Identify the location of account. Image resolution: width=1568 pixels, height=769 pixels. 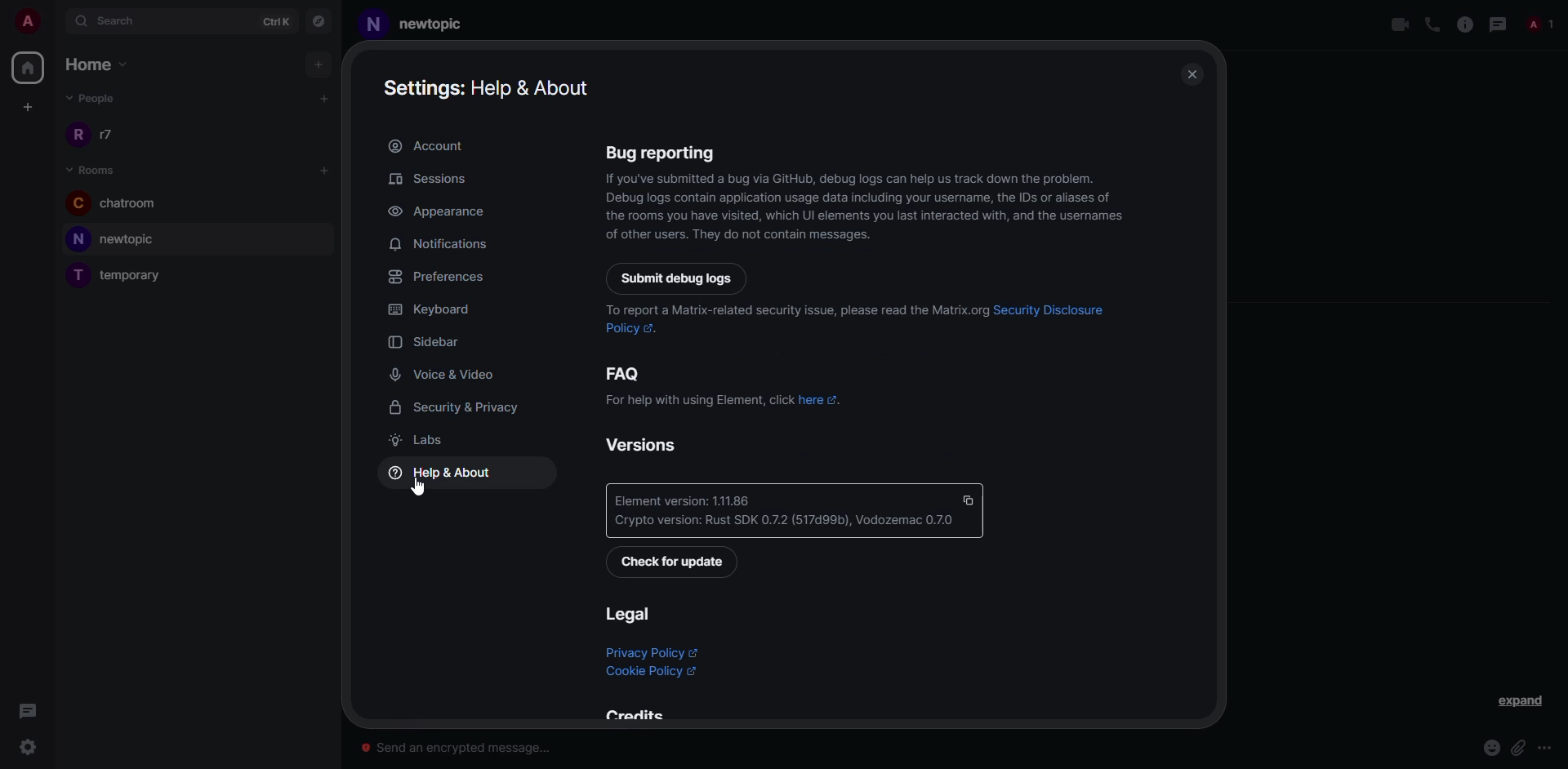
(25, 22).